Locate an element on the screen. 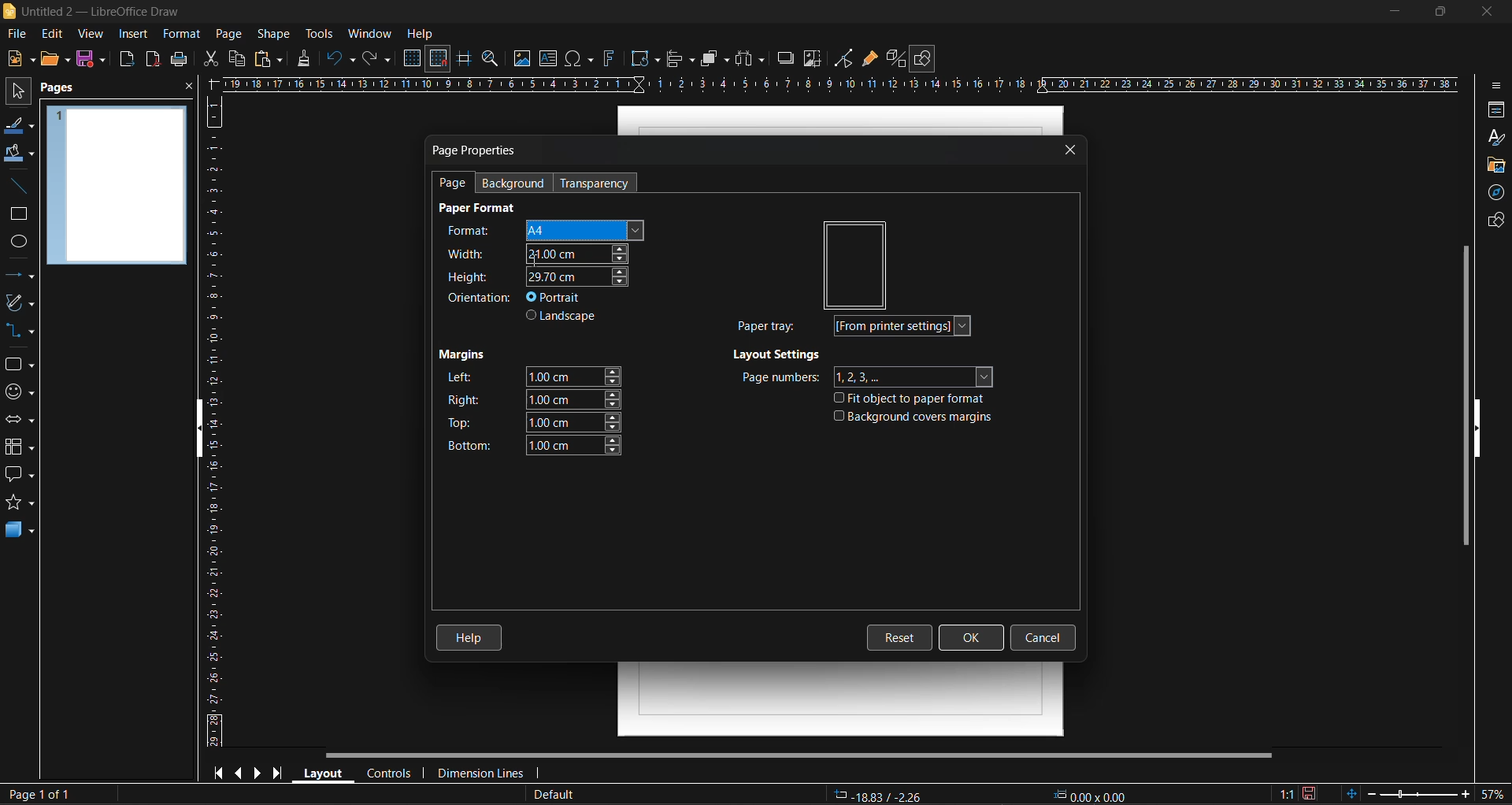  export is located at coordinates (128, 59).